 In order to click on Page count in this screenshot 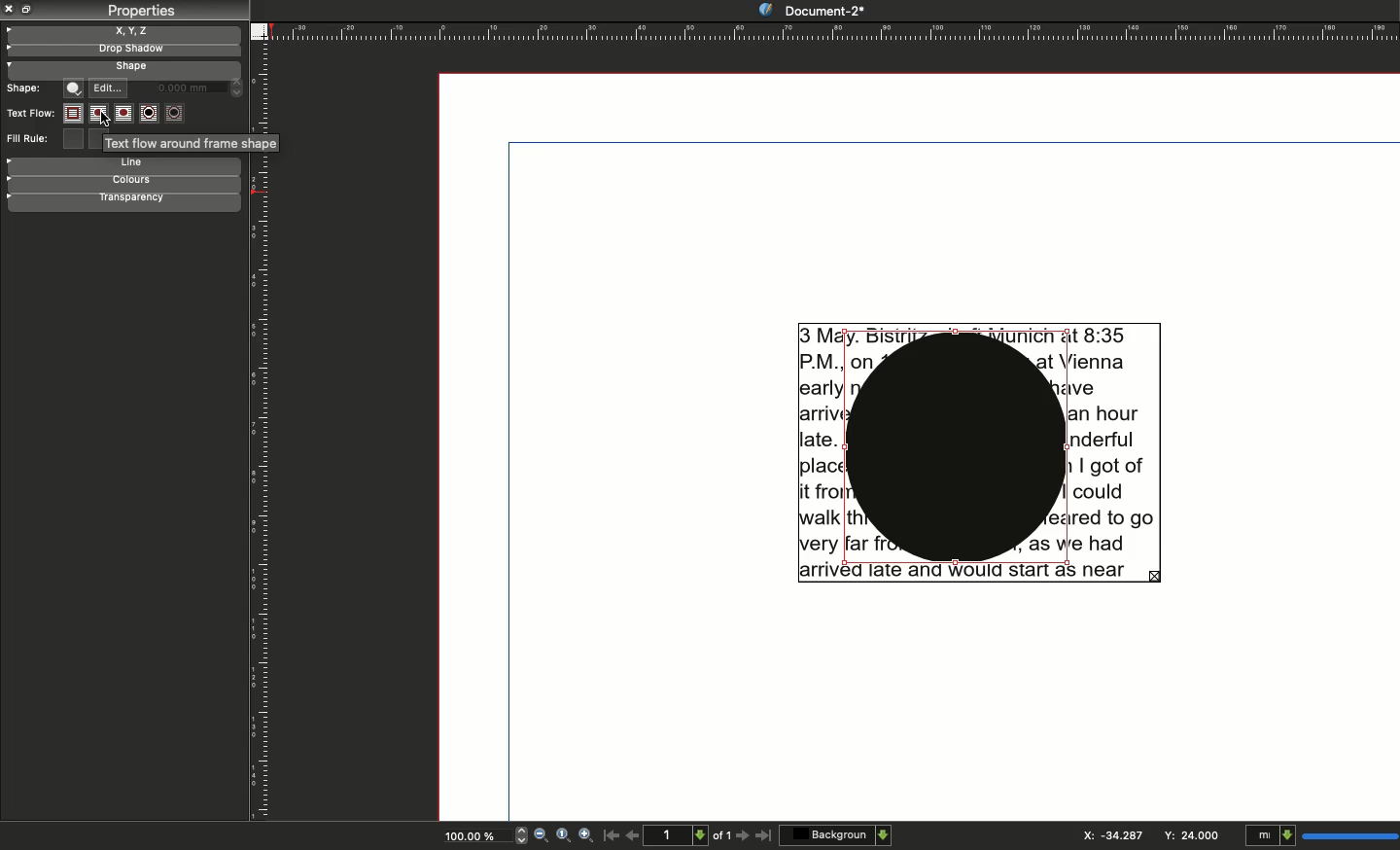, I will do `click(689, 834)`.